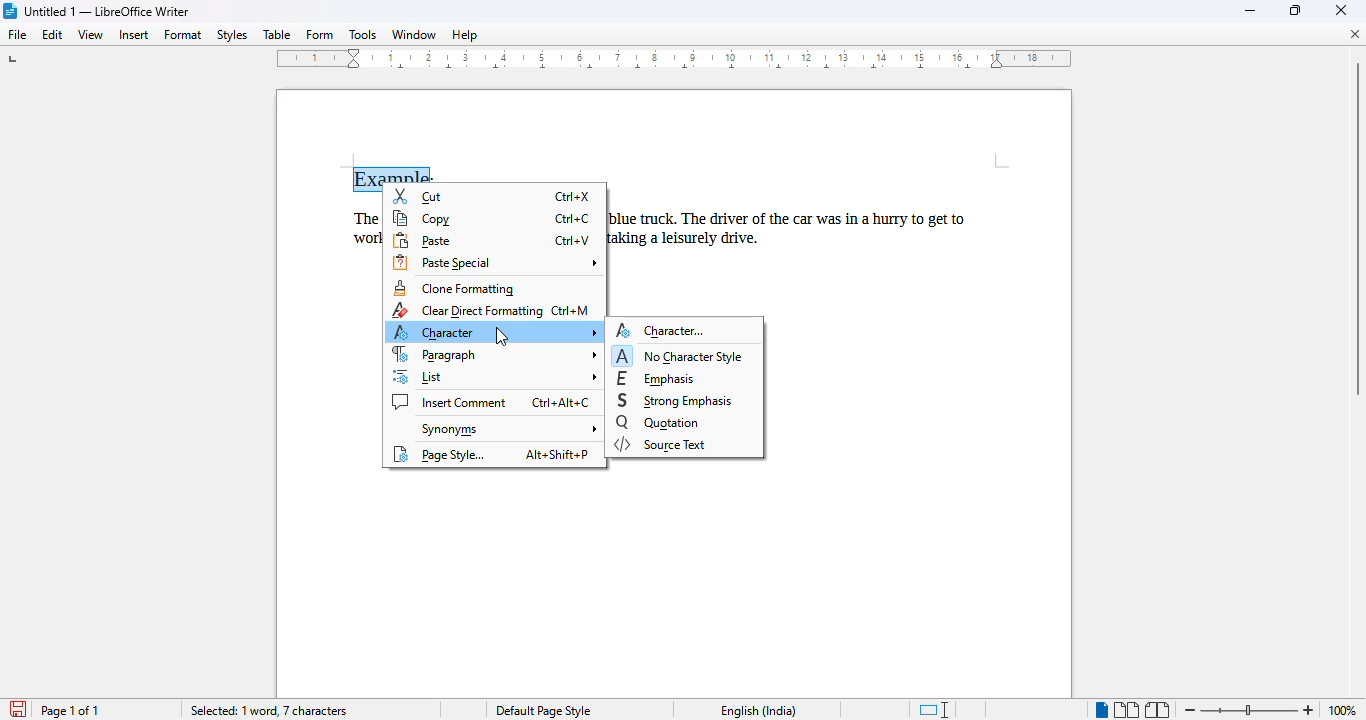 This screenshot has height=720, width=1366. I want to click on clear direct formatting, so click(466, 311).